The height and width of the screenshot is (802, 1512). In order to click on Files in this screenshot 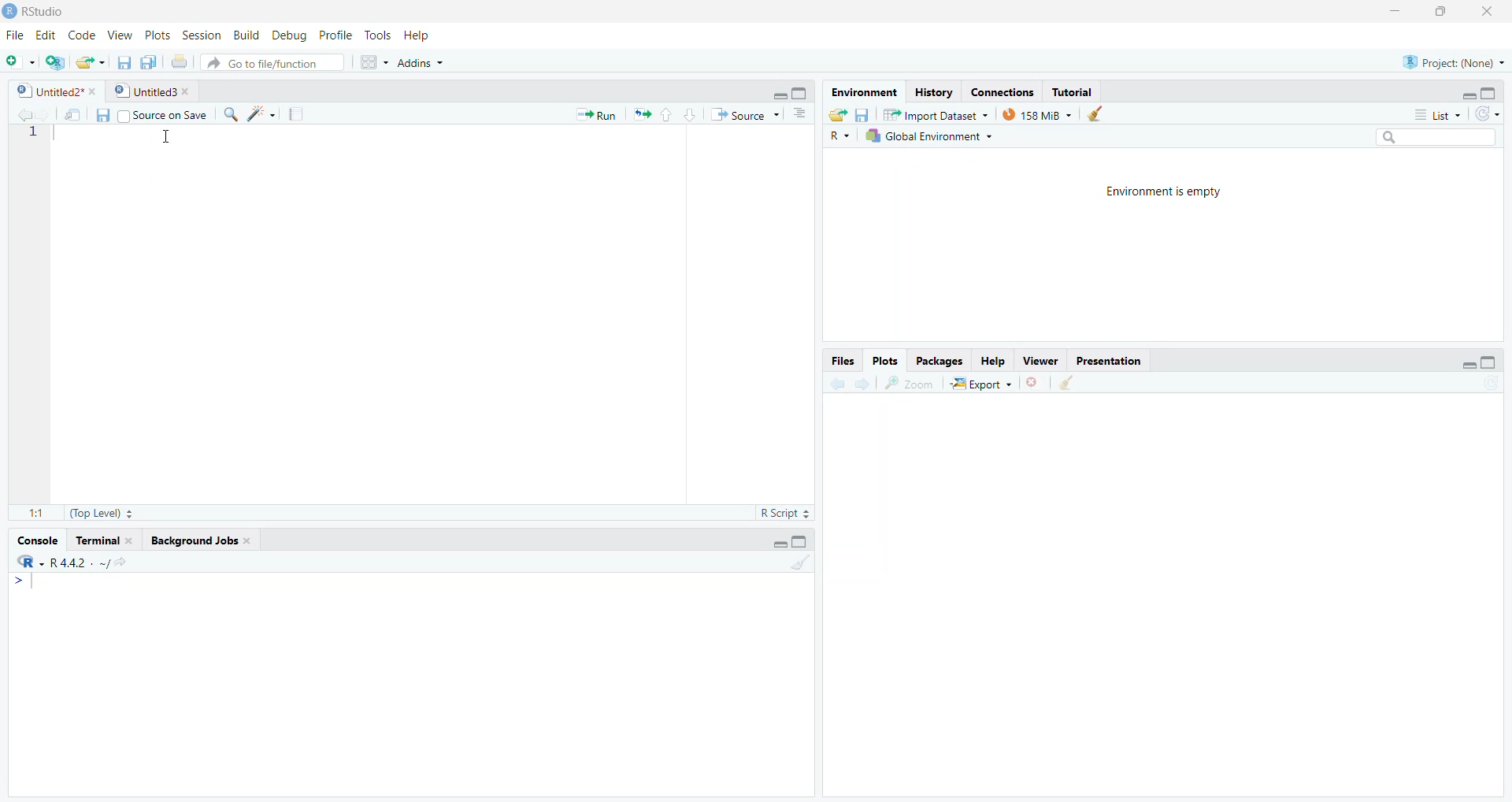, I will do `click(840, 360)`.